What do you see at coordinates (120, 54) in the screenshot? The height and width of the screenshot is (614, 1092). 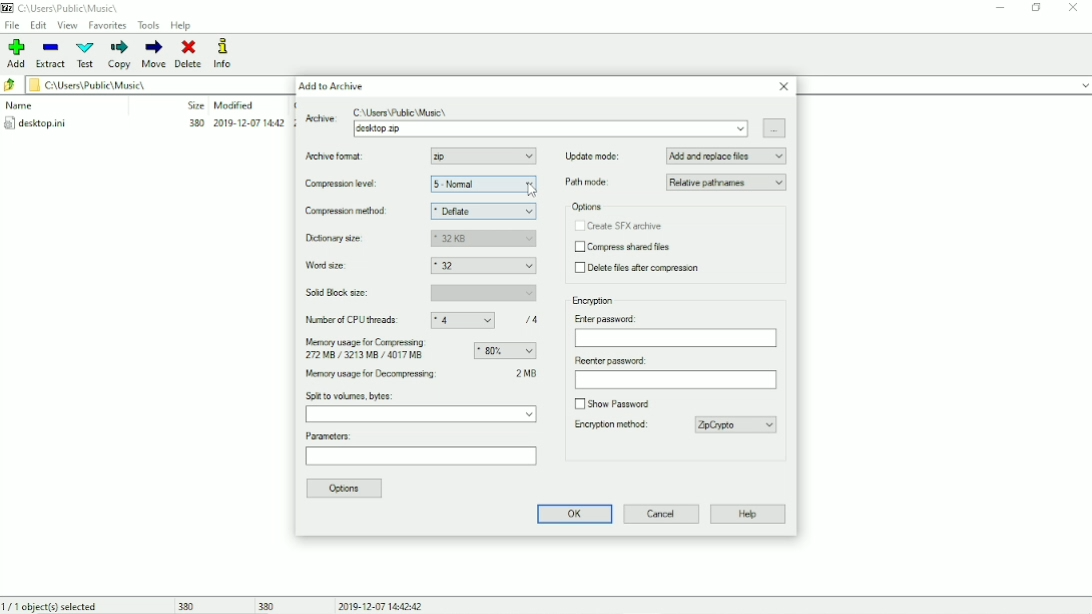 I see `Copy` at bounding box center [120, 54].